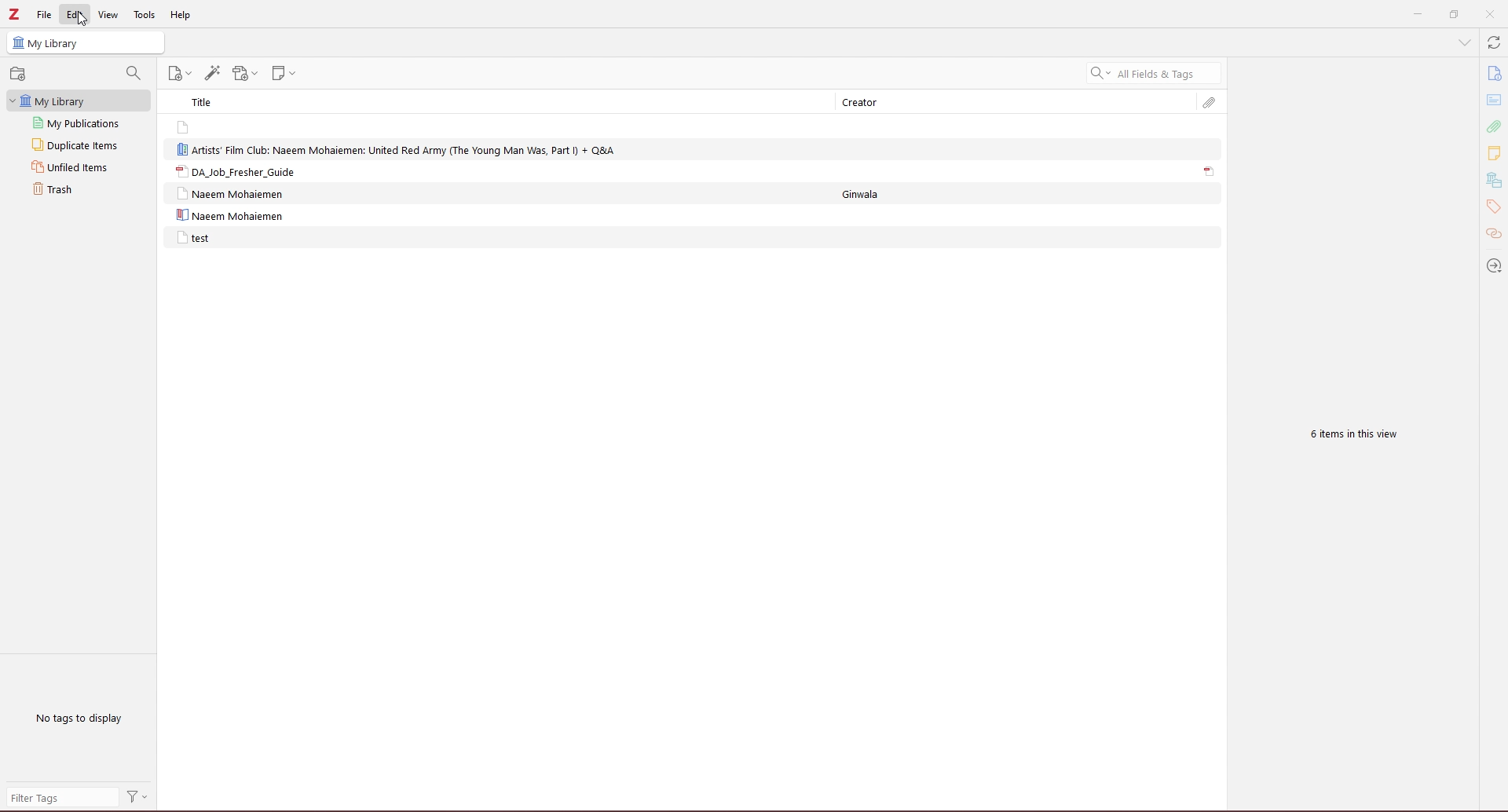 This screenshot has height=812, width=1508. What do you see at coordinates (1415, 15) in the screenshot?
I see `minimize` at bounding box center [1415, 15].